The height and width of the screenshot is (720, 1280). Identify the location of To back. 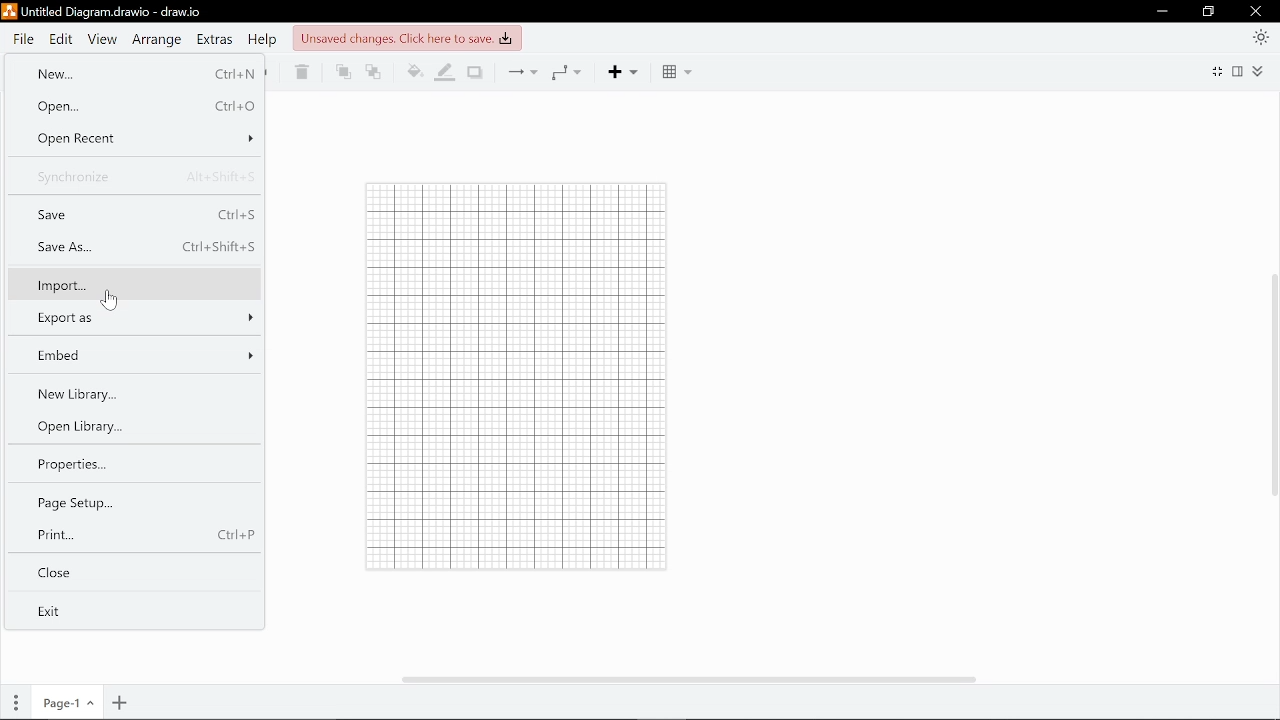
(373, 73).